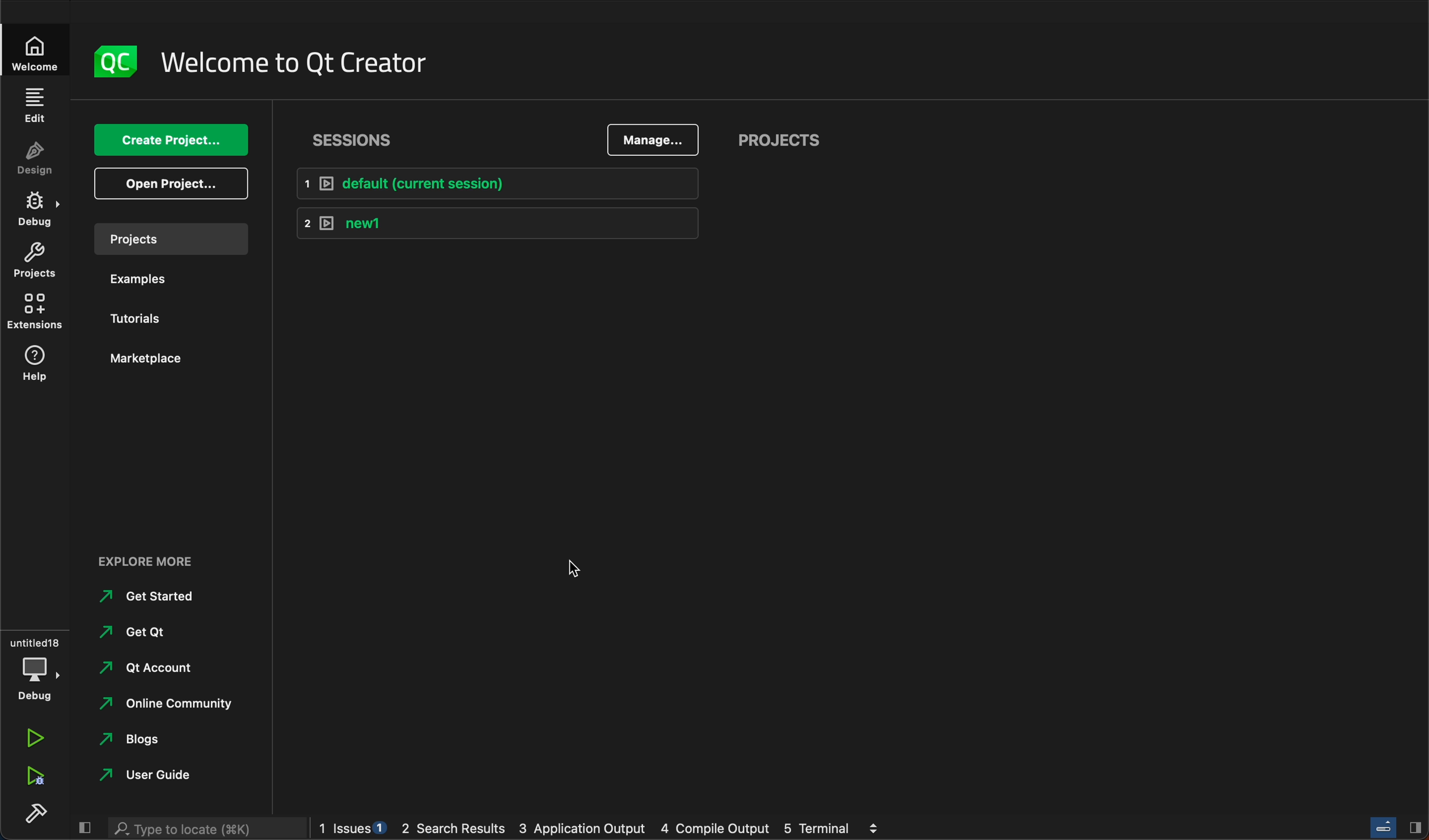  I want to click on examples, so click(143, 278).